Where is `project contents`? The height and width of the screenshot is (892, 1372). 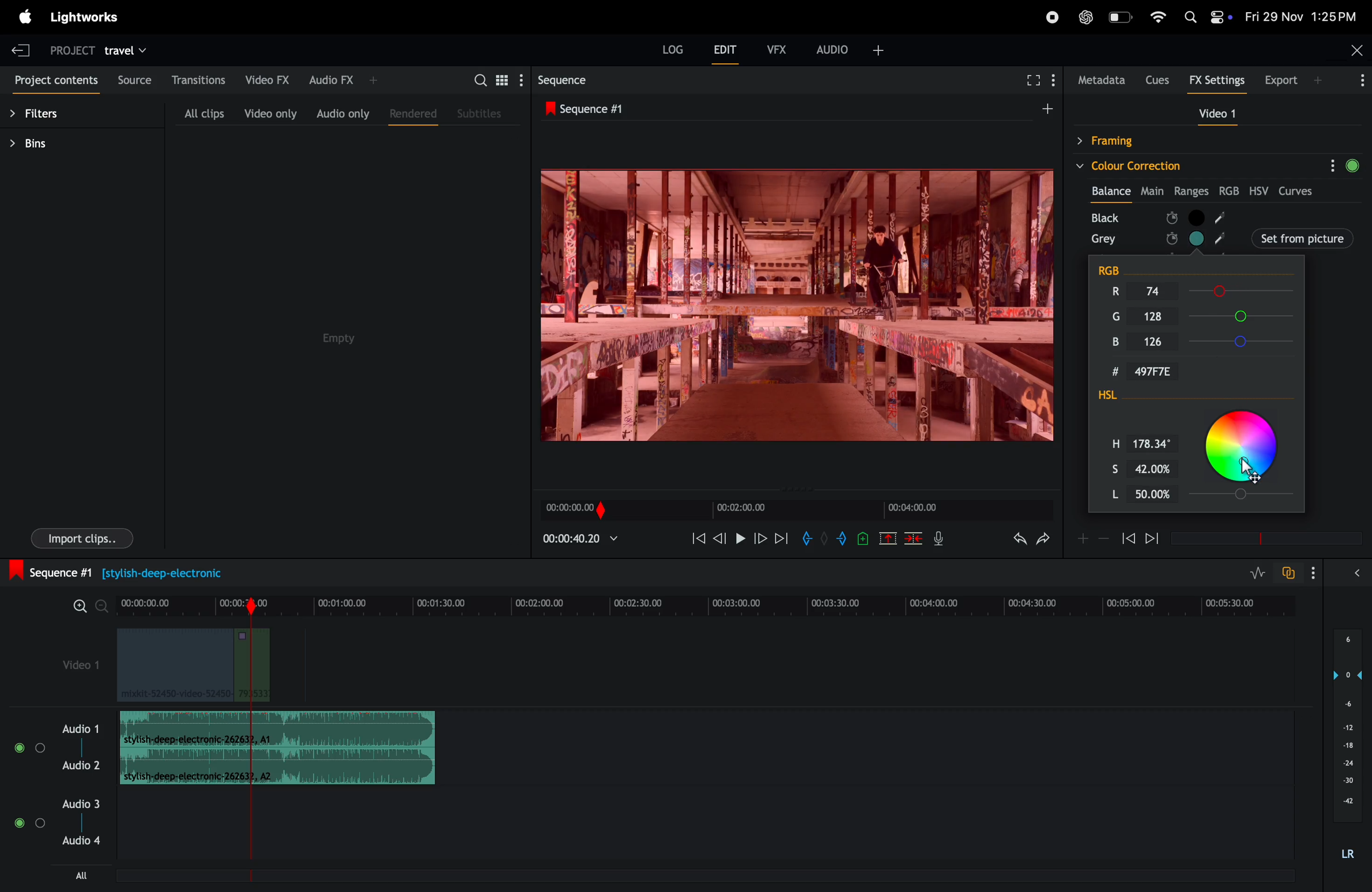
project contents is located at coordinates (55, 82).